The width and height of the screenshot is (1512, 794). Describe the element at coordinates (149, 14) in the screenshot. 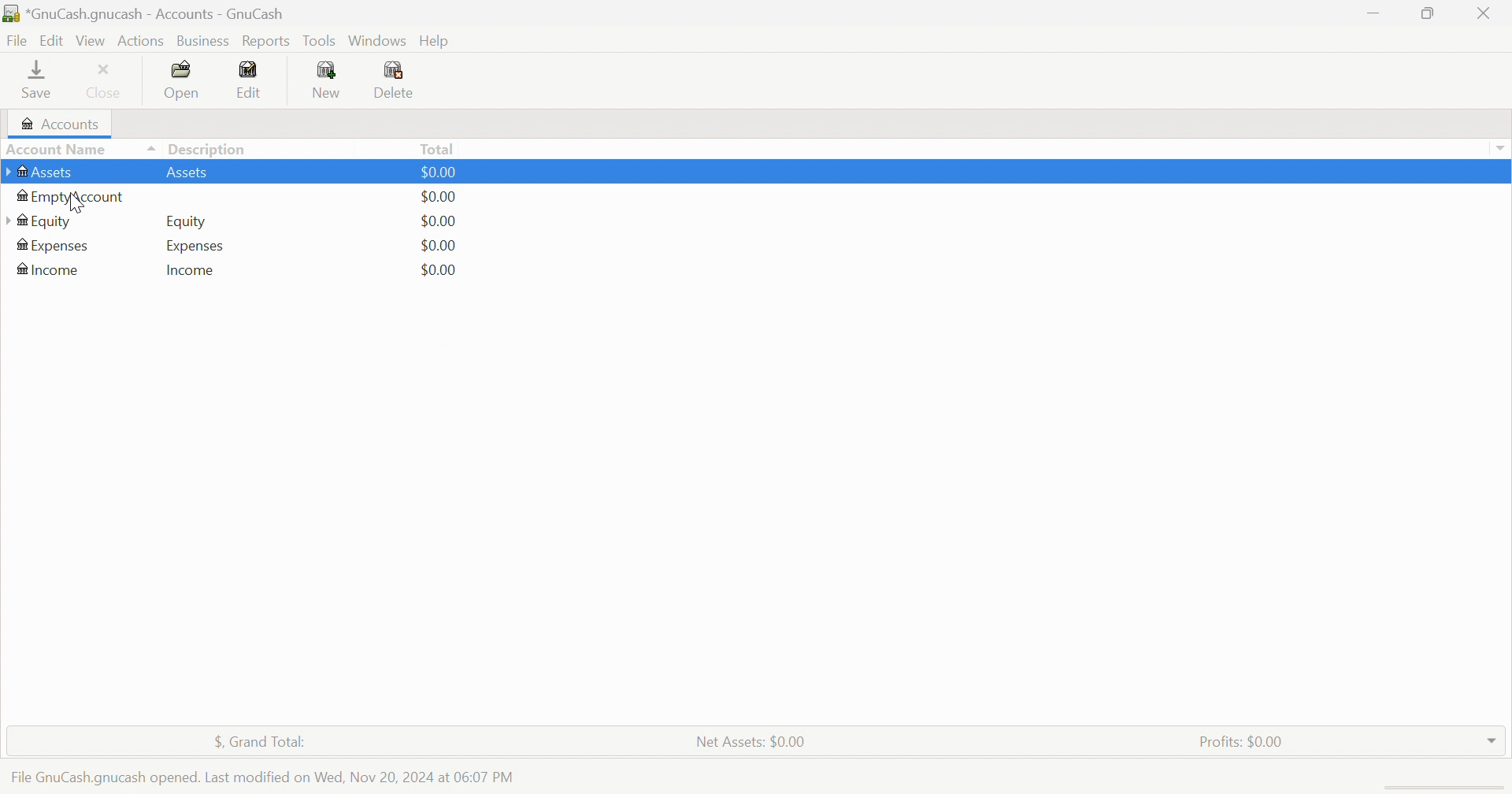

I see `*GnuCash.gnucash - Accounts - GnuCash` at that location.